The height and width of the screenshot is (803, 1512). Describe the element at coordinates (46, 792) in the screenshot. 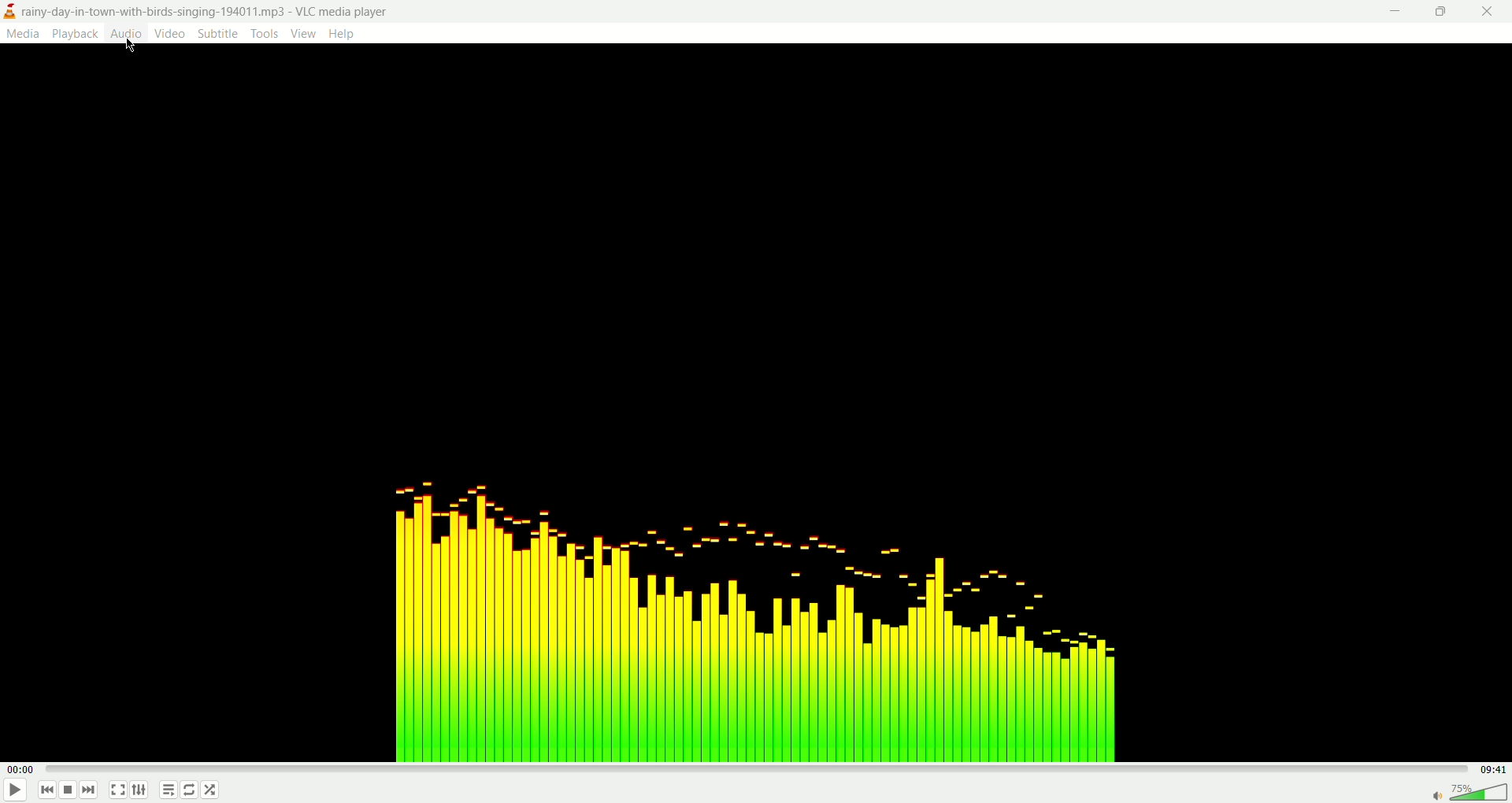

I see `previous` at that location.